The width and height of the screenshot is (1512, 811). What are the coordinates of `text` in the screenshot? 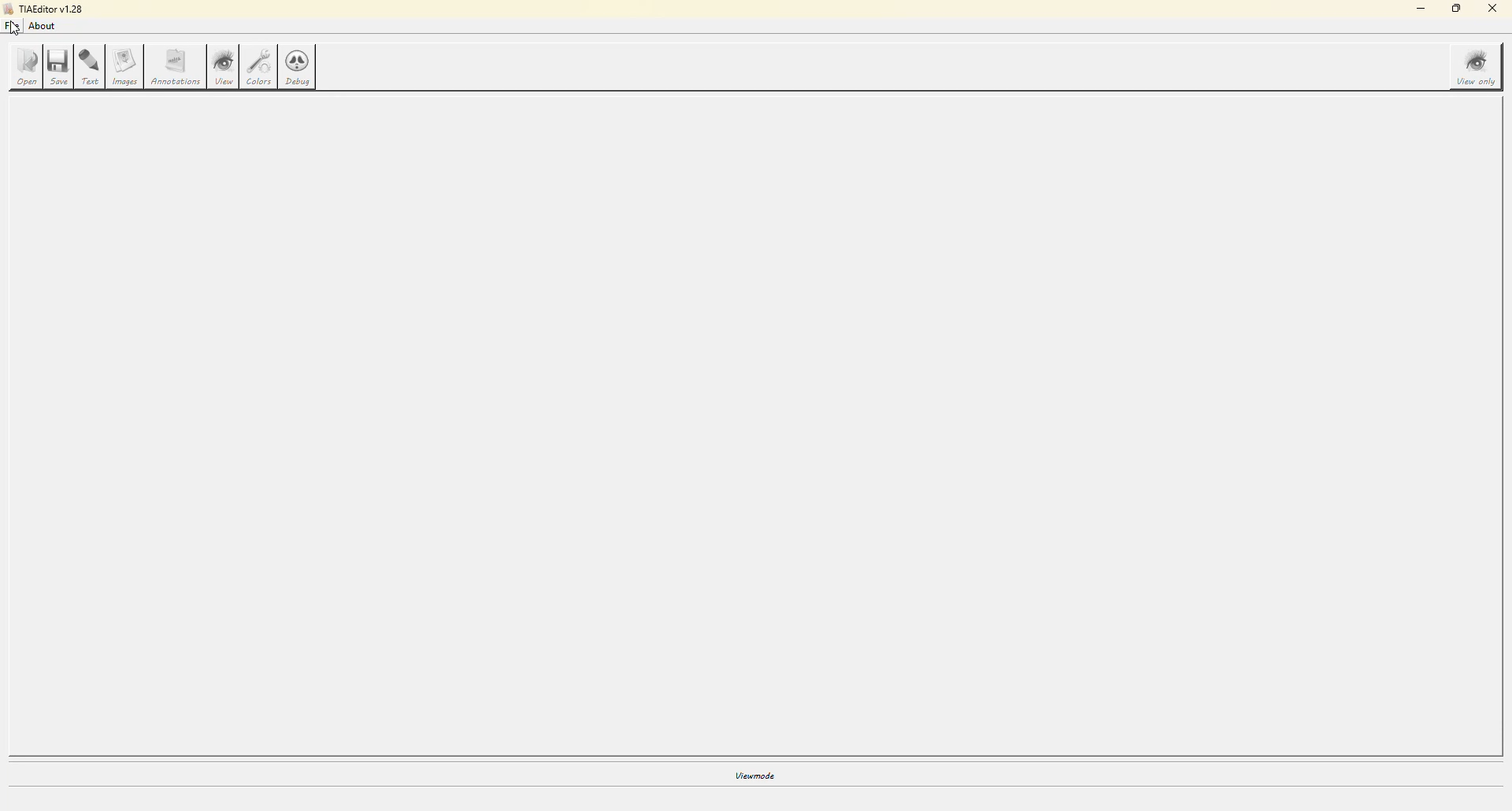 It's located at (91, 68).